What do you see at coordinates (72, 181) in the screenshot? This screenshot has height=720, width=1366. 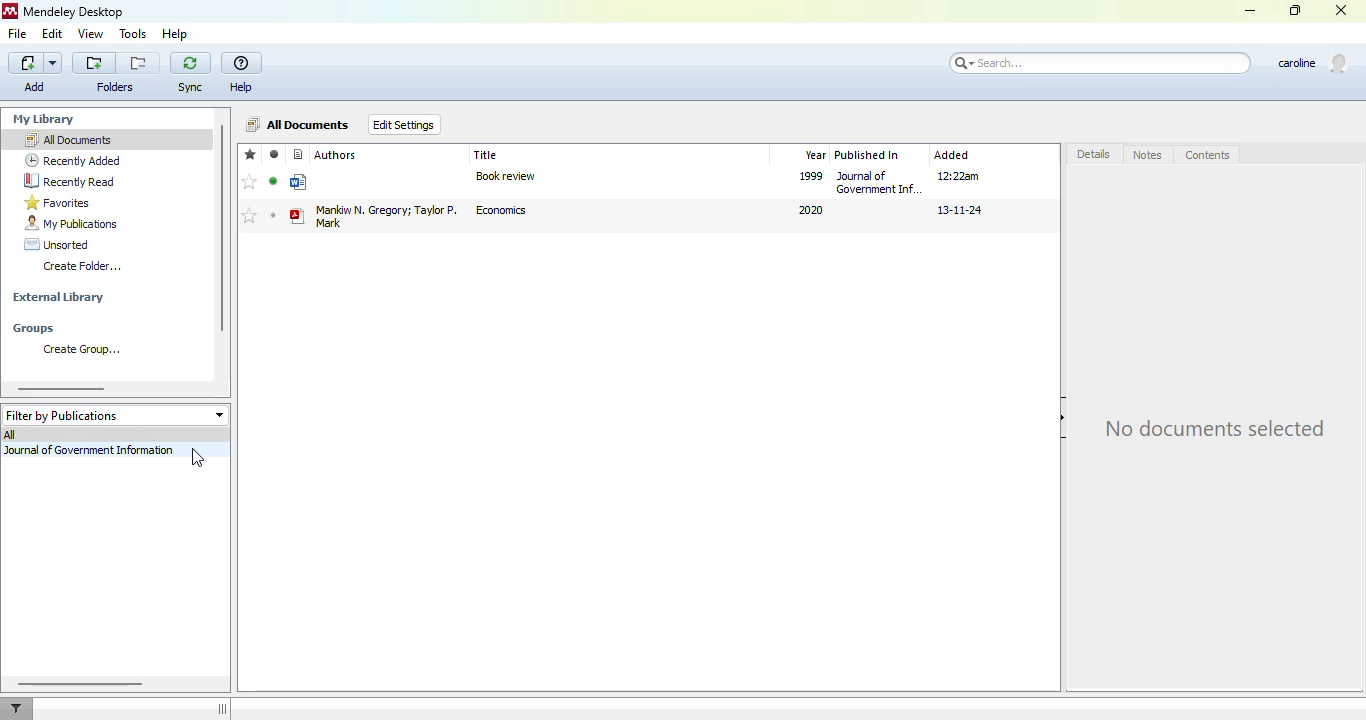 I see `recently read` at bounding box center [72, 181].